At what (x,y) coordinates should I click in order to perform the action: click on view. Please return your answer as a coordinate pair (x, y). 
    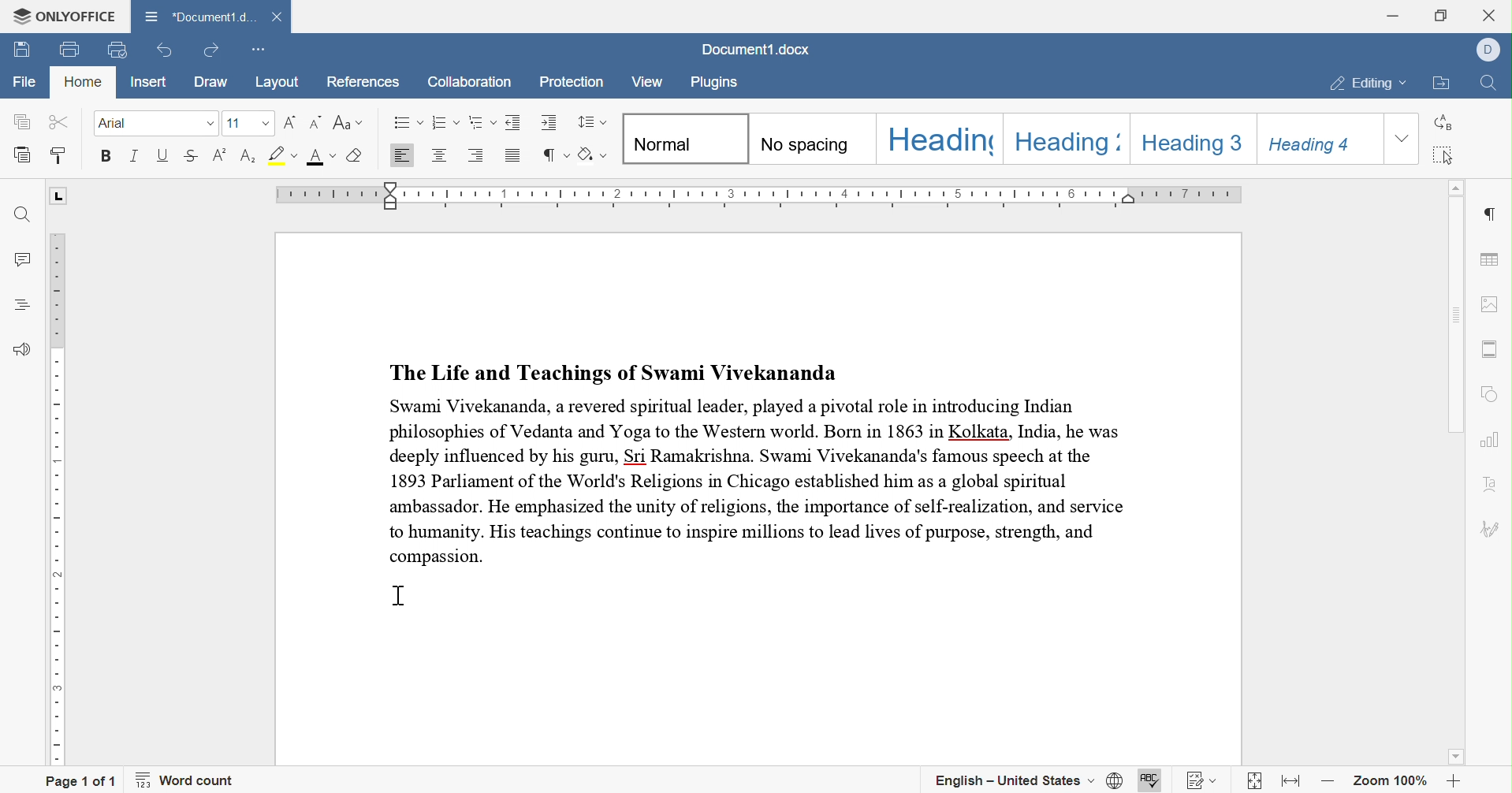
    Looking at the image, I should click on (646, 84).